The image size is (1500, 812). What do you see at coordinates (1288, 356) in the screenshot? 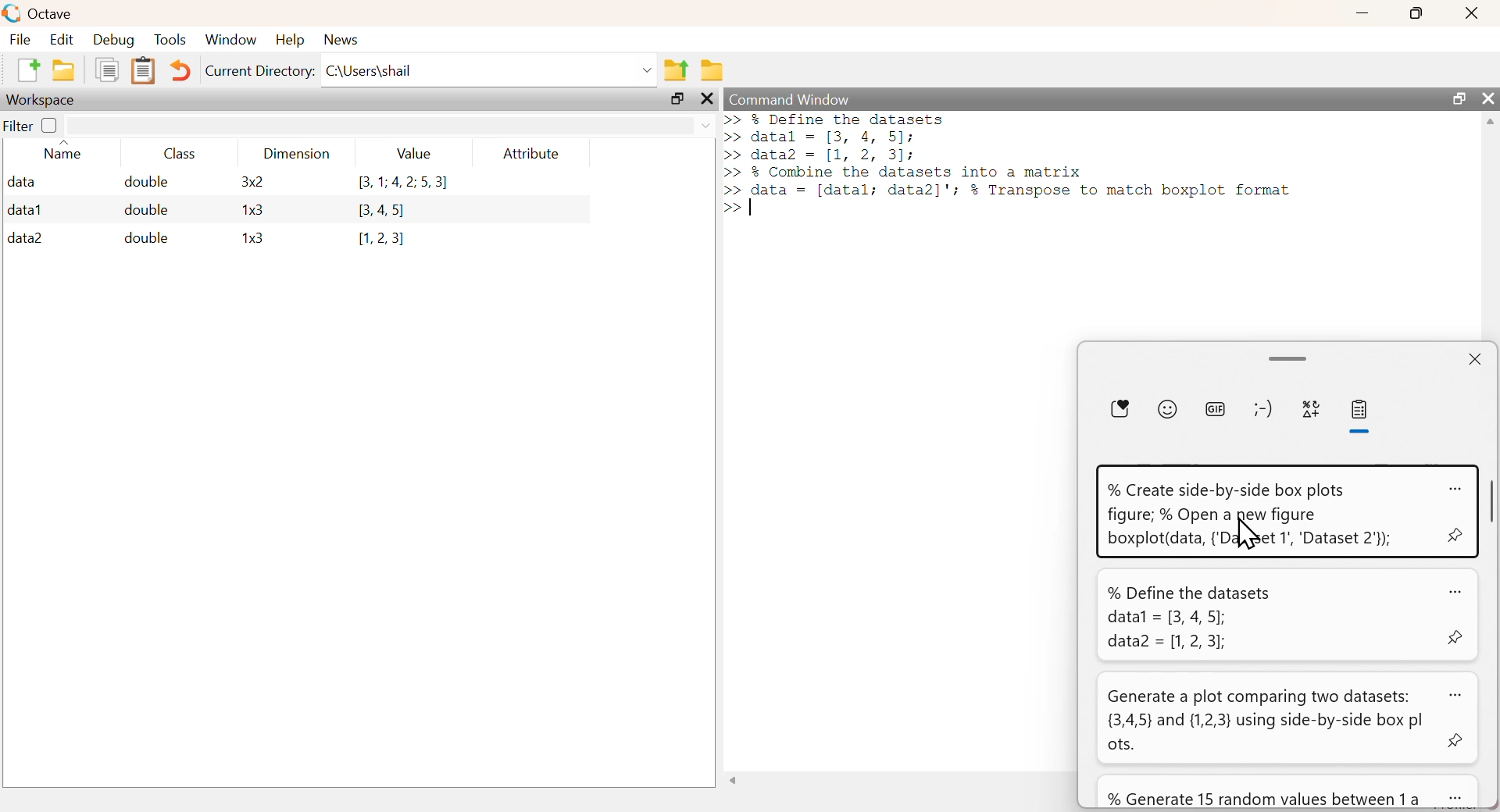
I see `scroll bar` at bounding box center [1288, 356].